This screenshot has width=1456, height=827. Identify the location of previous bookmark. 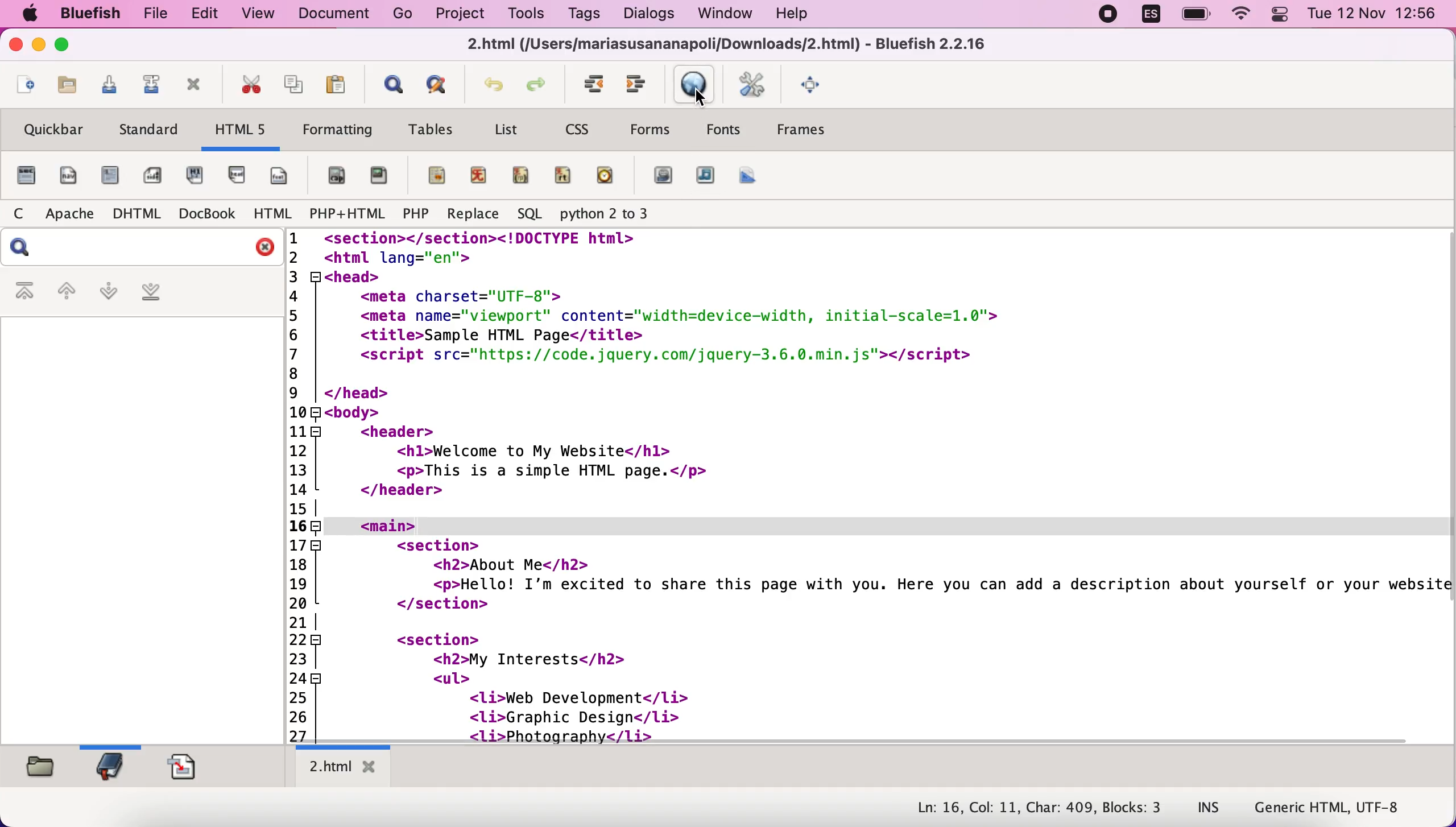
(65, 295).